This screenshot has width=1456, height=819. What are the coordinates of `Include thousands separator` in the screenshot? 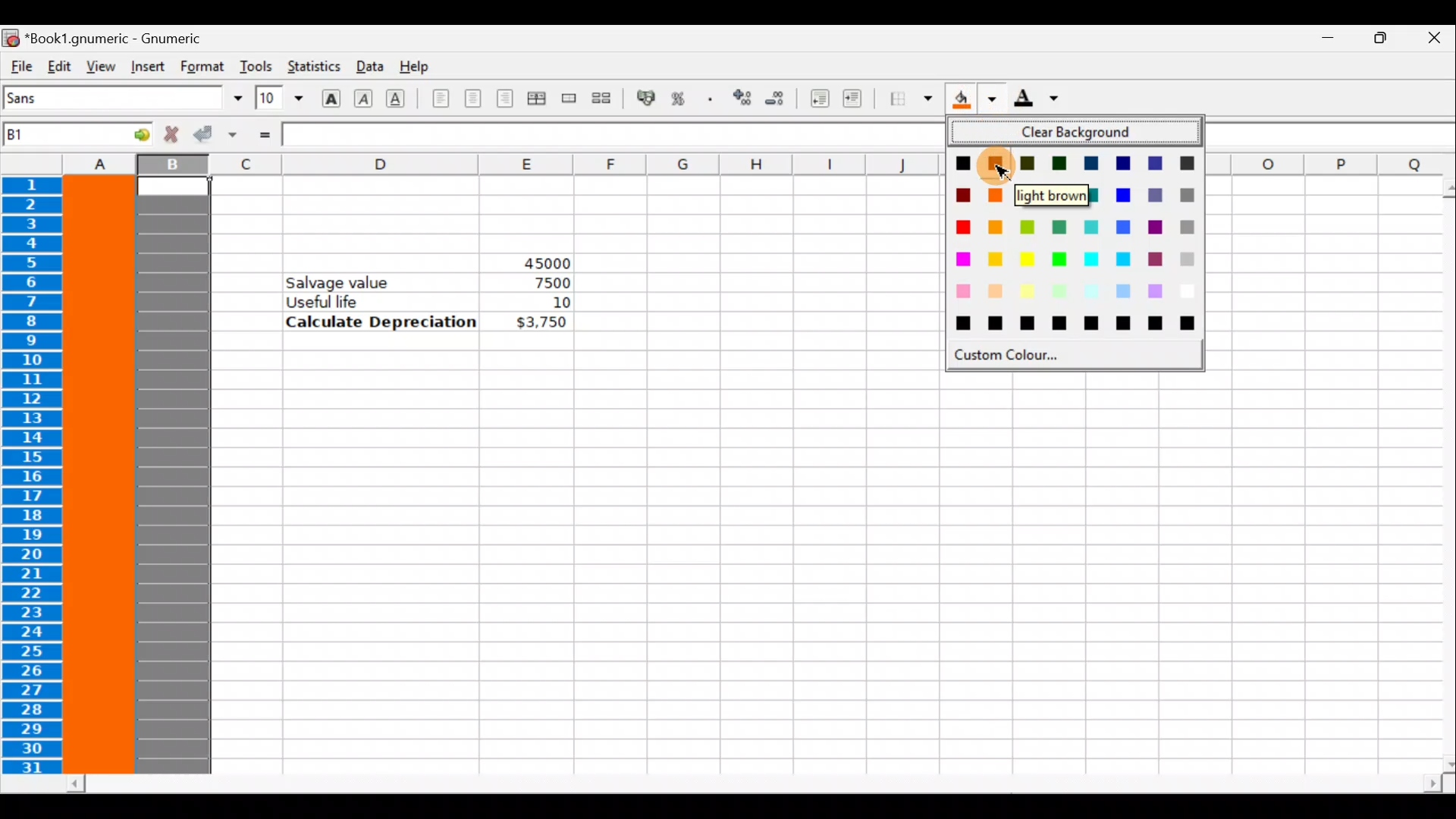 It's located at (711, 99).